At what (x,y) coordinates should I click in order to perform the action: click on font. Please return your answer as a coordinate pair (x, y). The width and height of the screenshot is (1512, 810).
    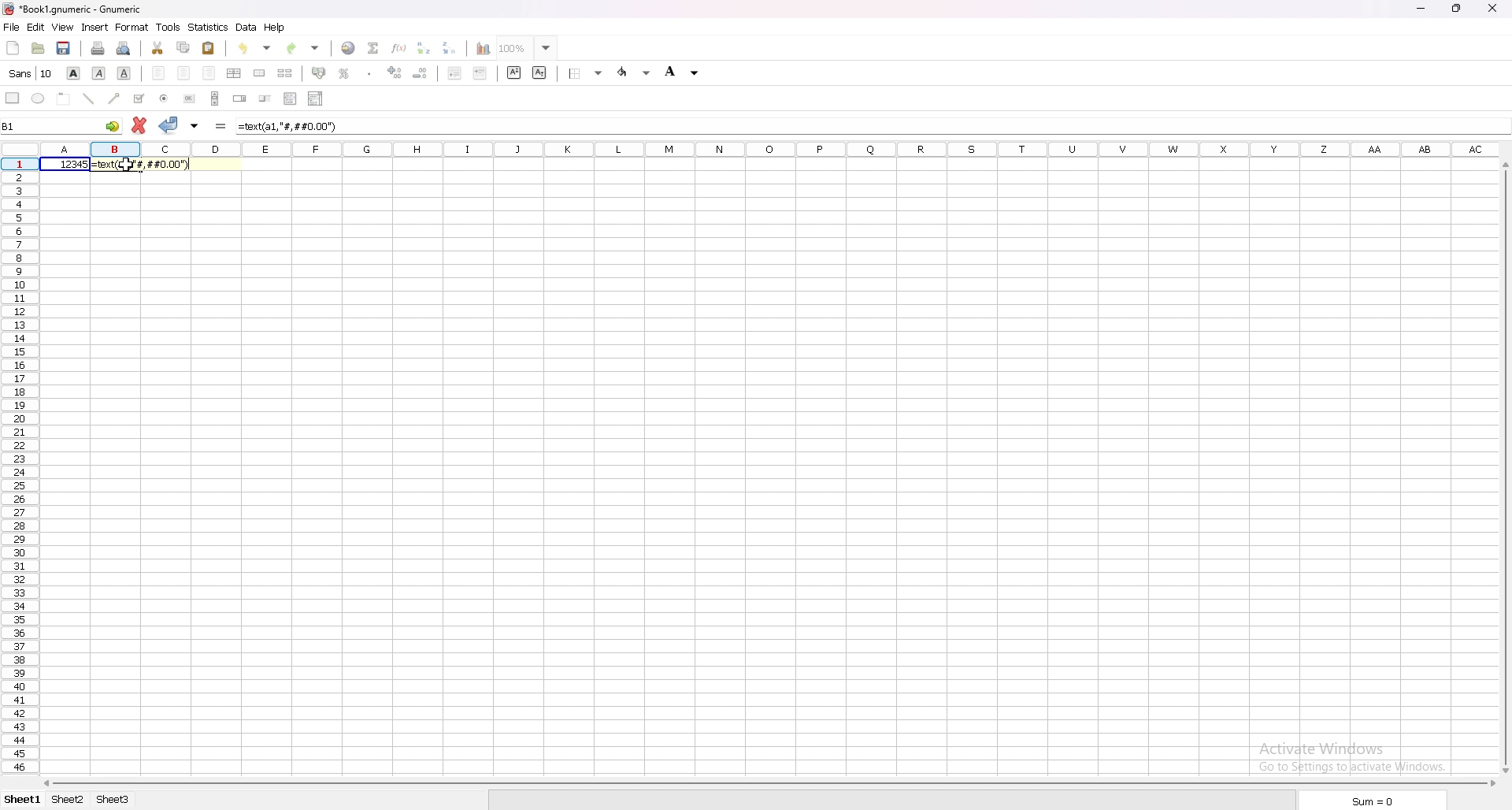
    Looking at the image, I should click on (32, 73).